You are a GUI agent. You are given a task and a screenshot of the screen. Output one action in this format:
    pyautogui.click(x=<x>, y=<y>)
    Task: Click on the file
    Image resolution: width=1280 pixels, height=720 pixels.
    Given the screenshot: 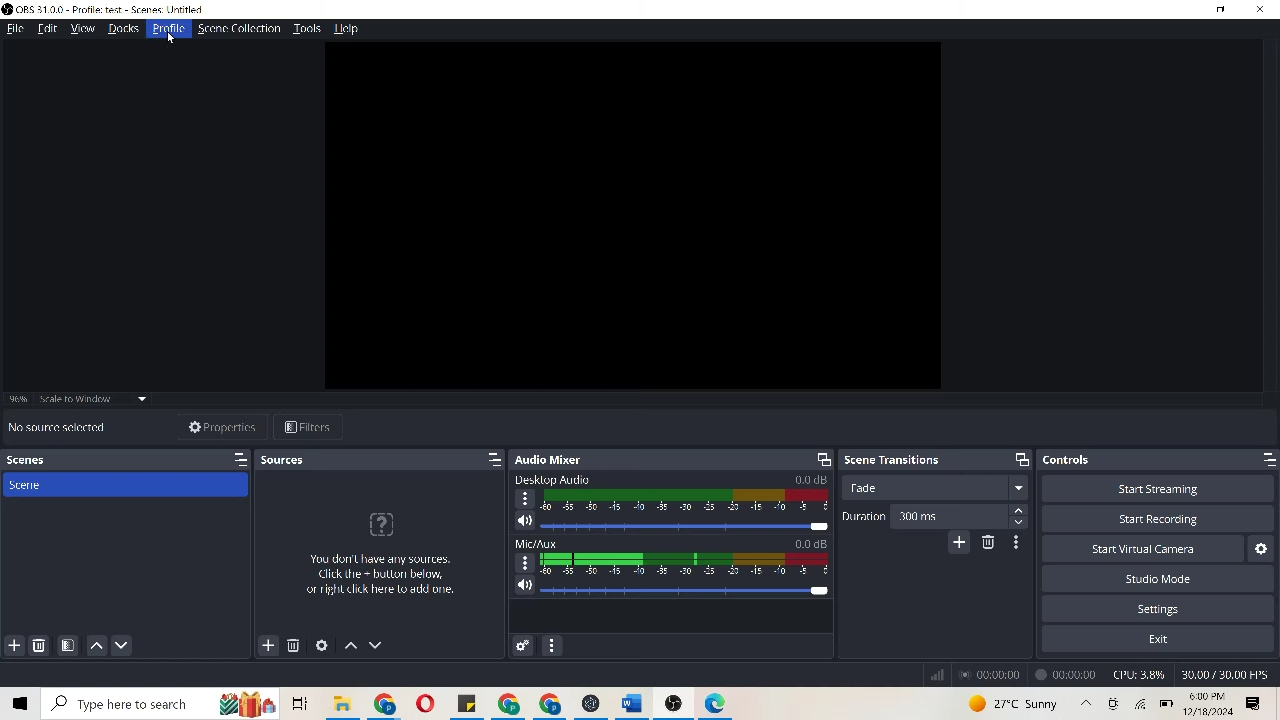 What is the action you would take?
    pyautogui.click(x=14, y=30)
    